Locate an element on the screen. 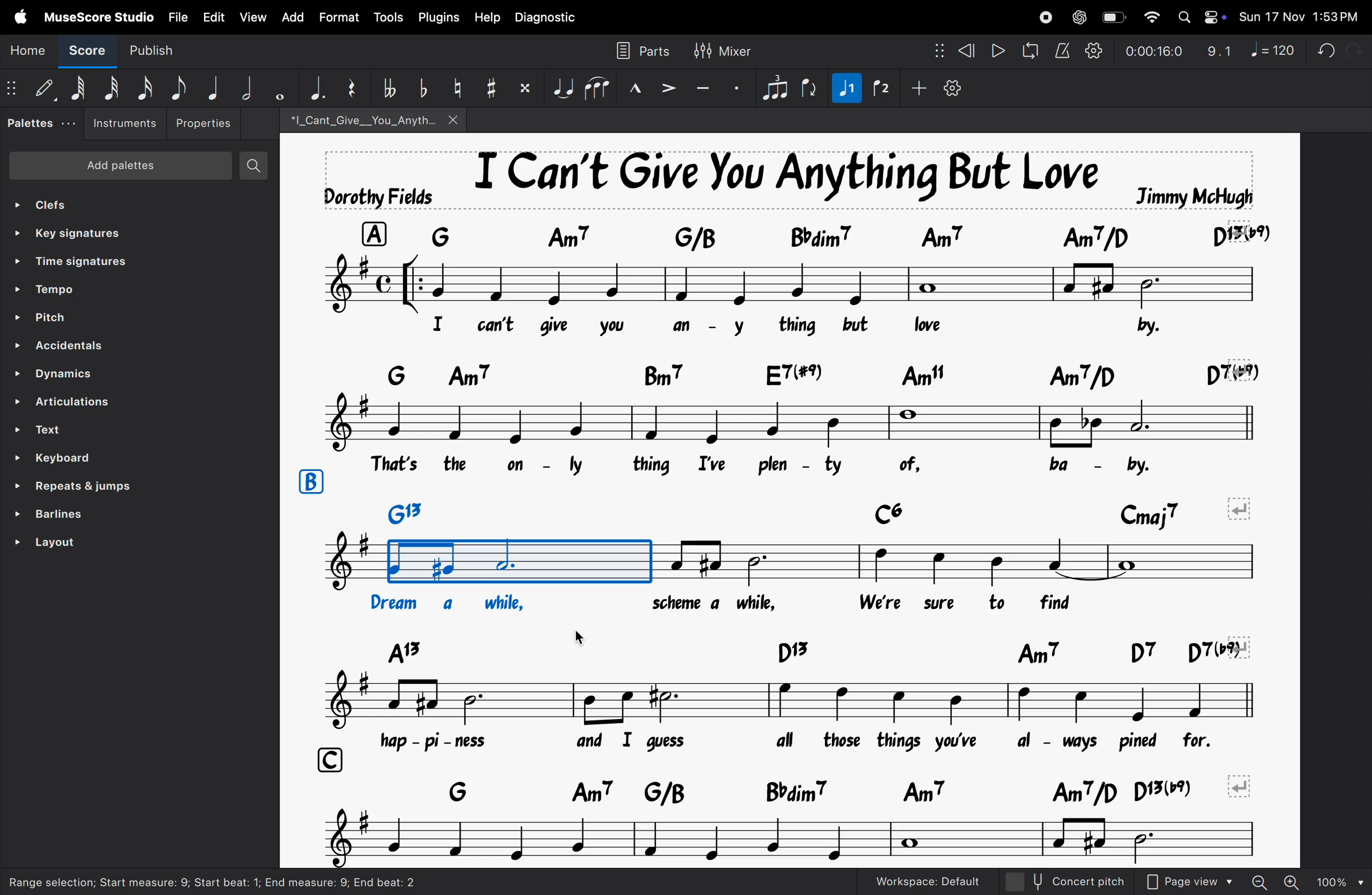 This screenshot has height=895, width=1372. barlines is located at coordinates (51, 514).